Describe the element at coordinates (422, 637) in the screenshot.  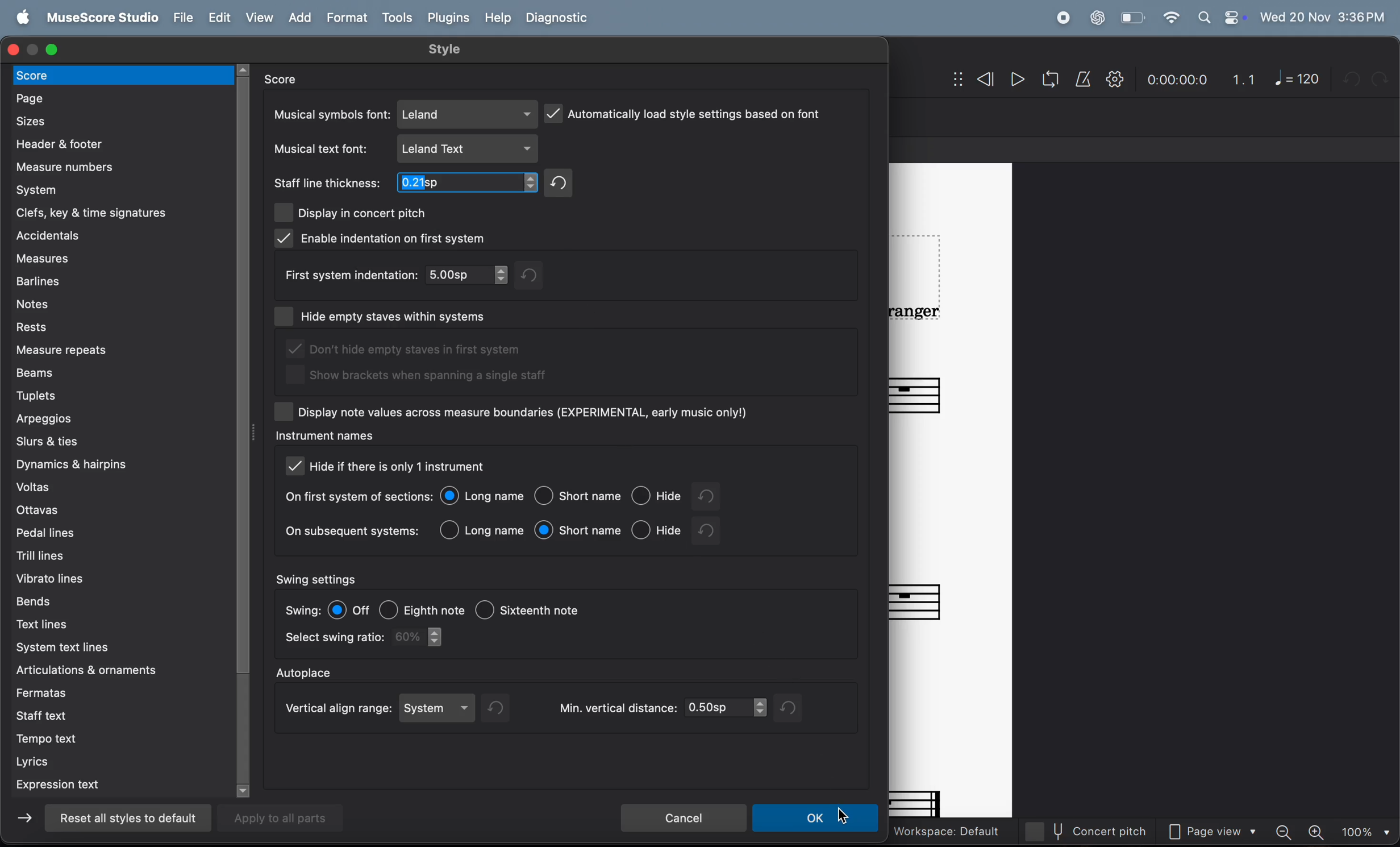
I see `80 ` at that location.